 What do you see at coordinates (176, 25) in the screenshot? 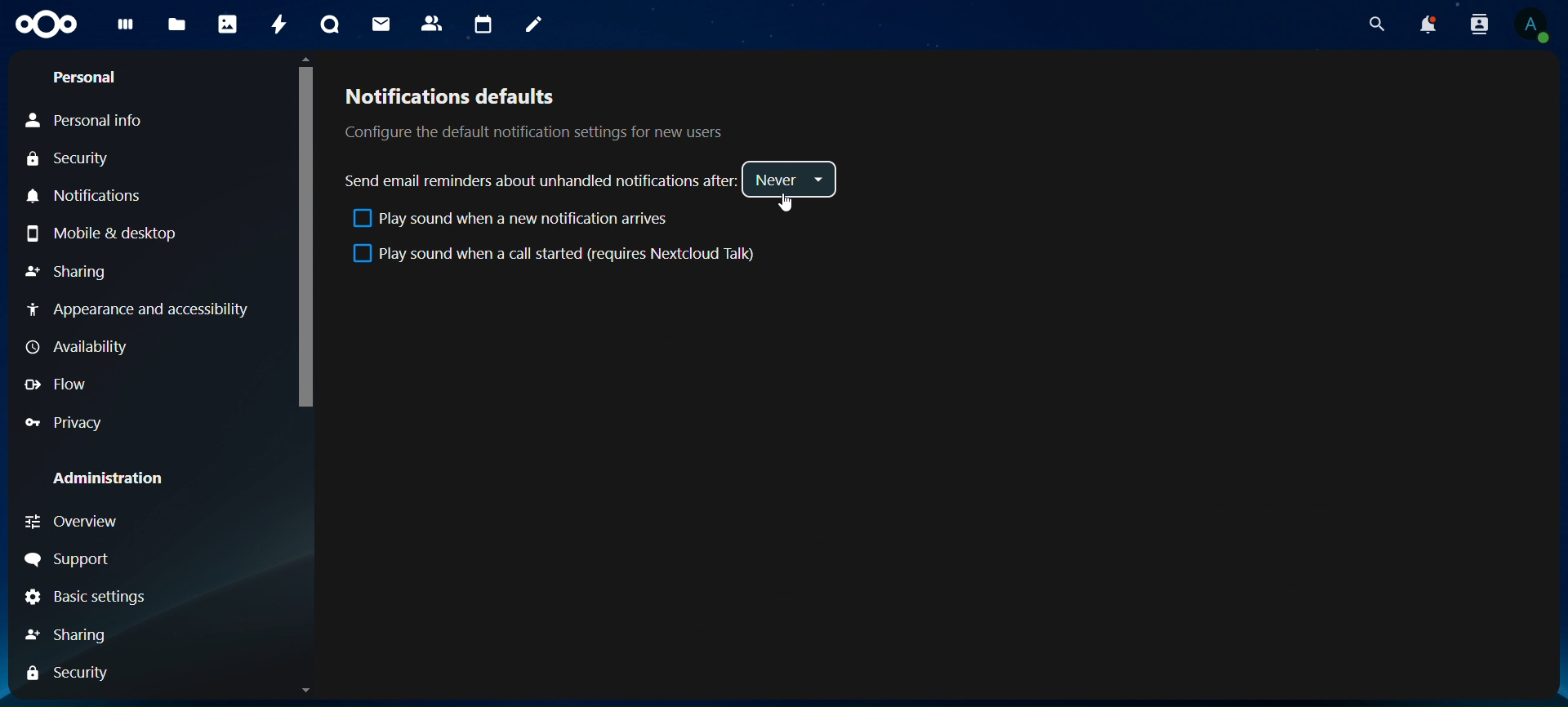
I see `files` at bounding box center [176, 25].